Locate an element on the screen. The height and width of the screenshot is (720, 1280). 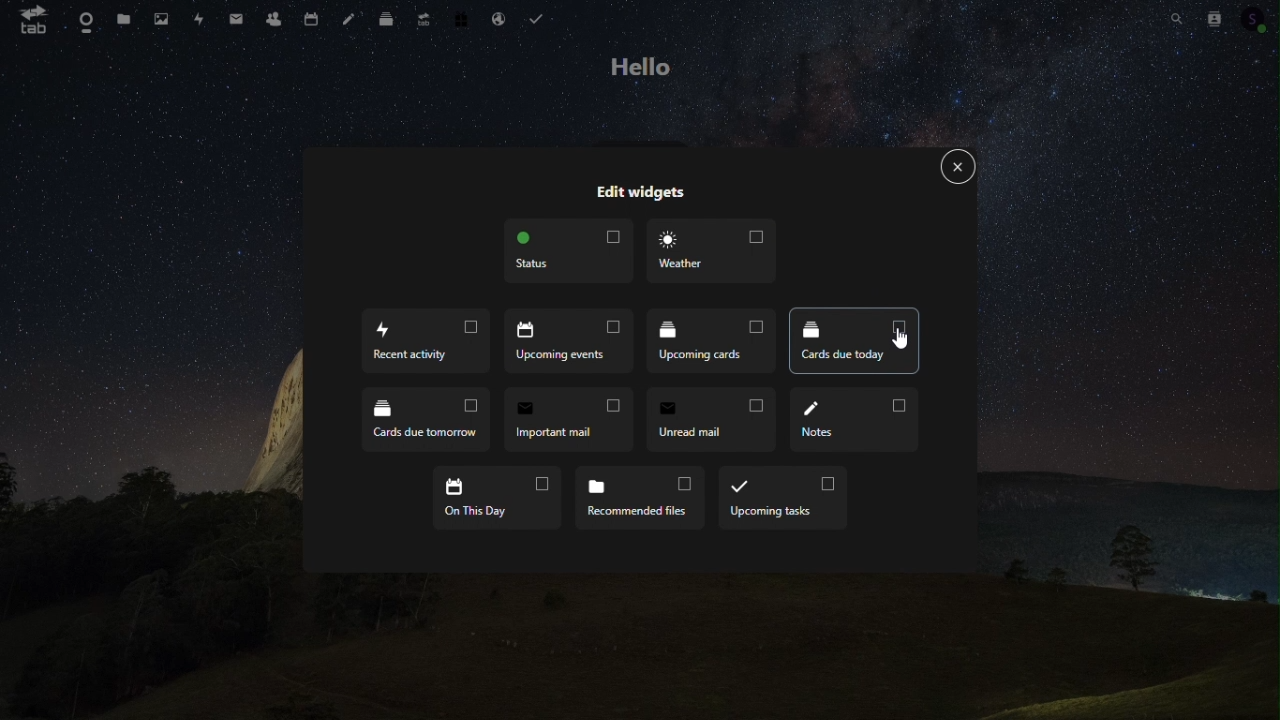
Search is located at coordinates (1171, 20).